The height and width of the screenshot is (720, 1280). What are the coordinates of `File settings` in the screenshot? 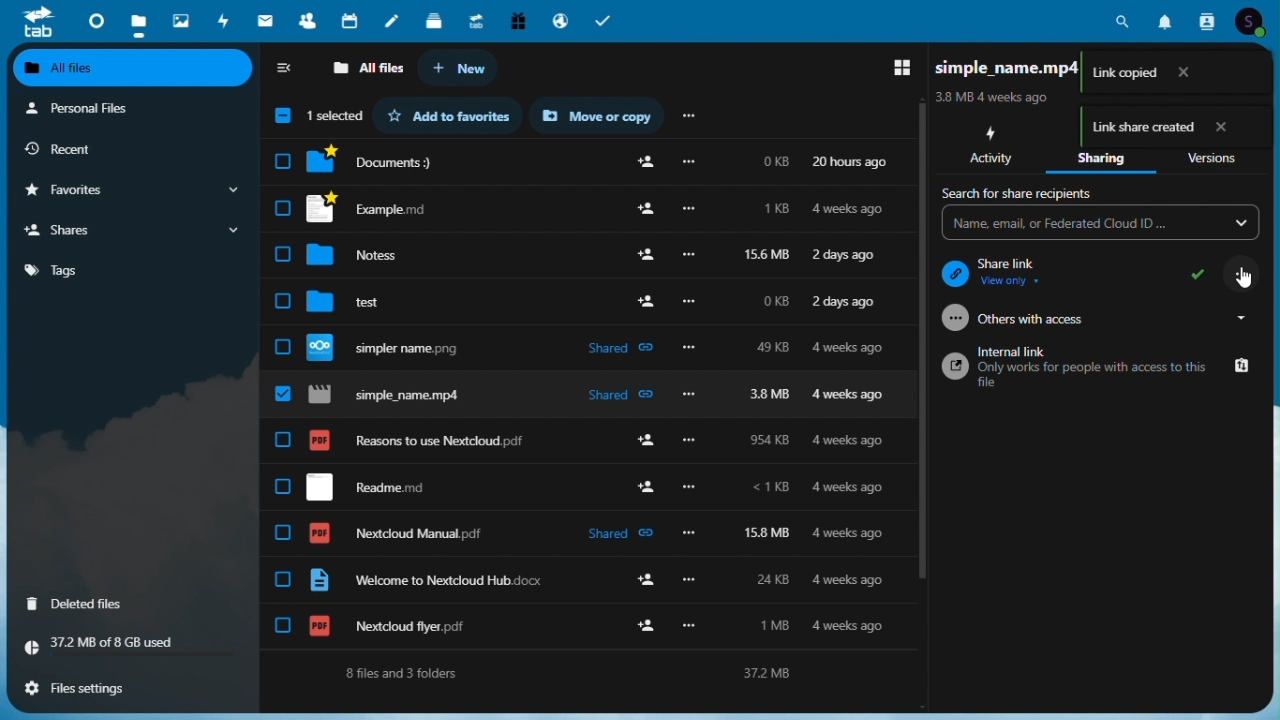 It's located at (87, 688).